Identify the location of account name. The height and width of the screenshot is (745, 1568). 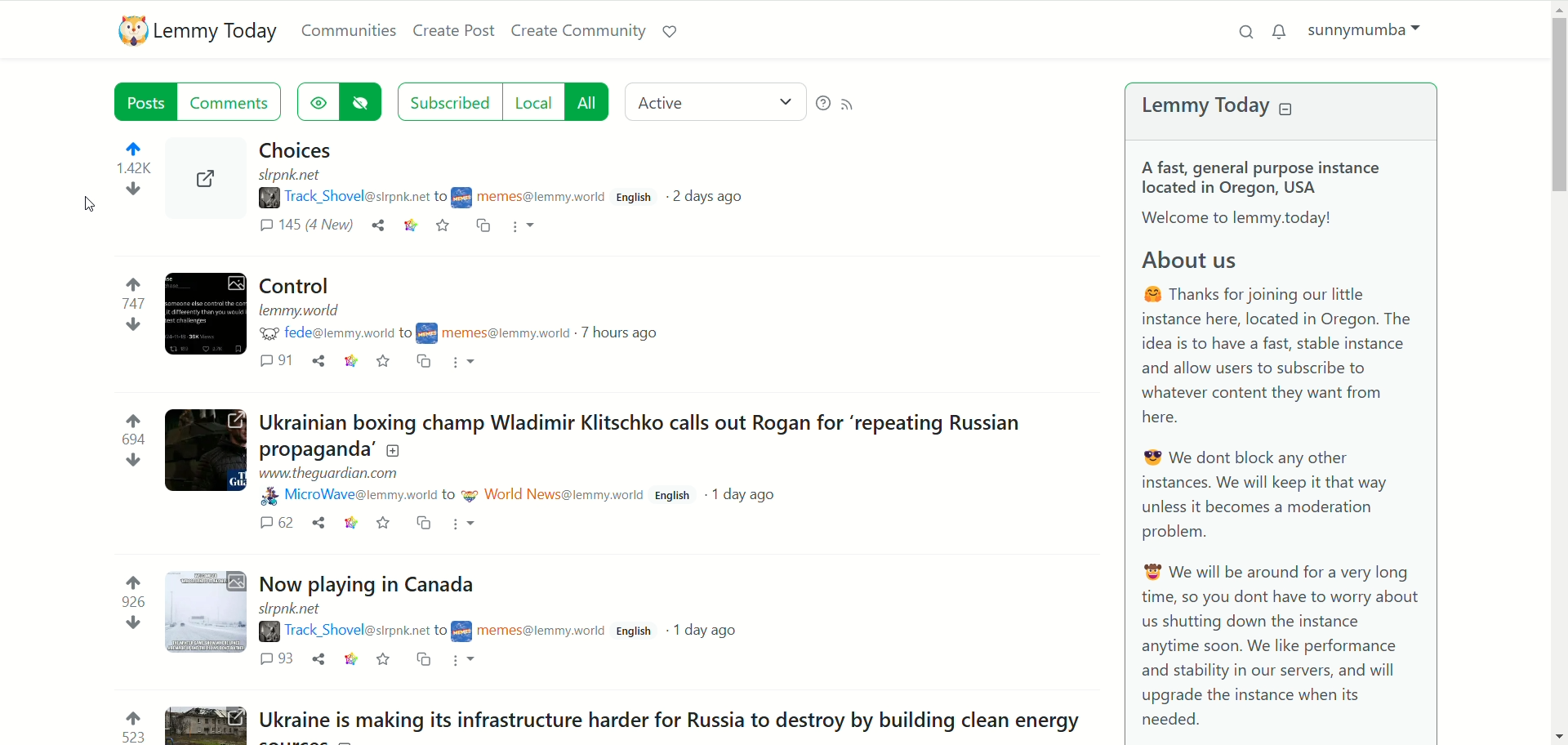
(1368, 34).